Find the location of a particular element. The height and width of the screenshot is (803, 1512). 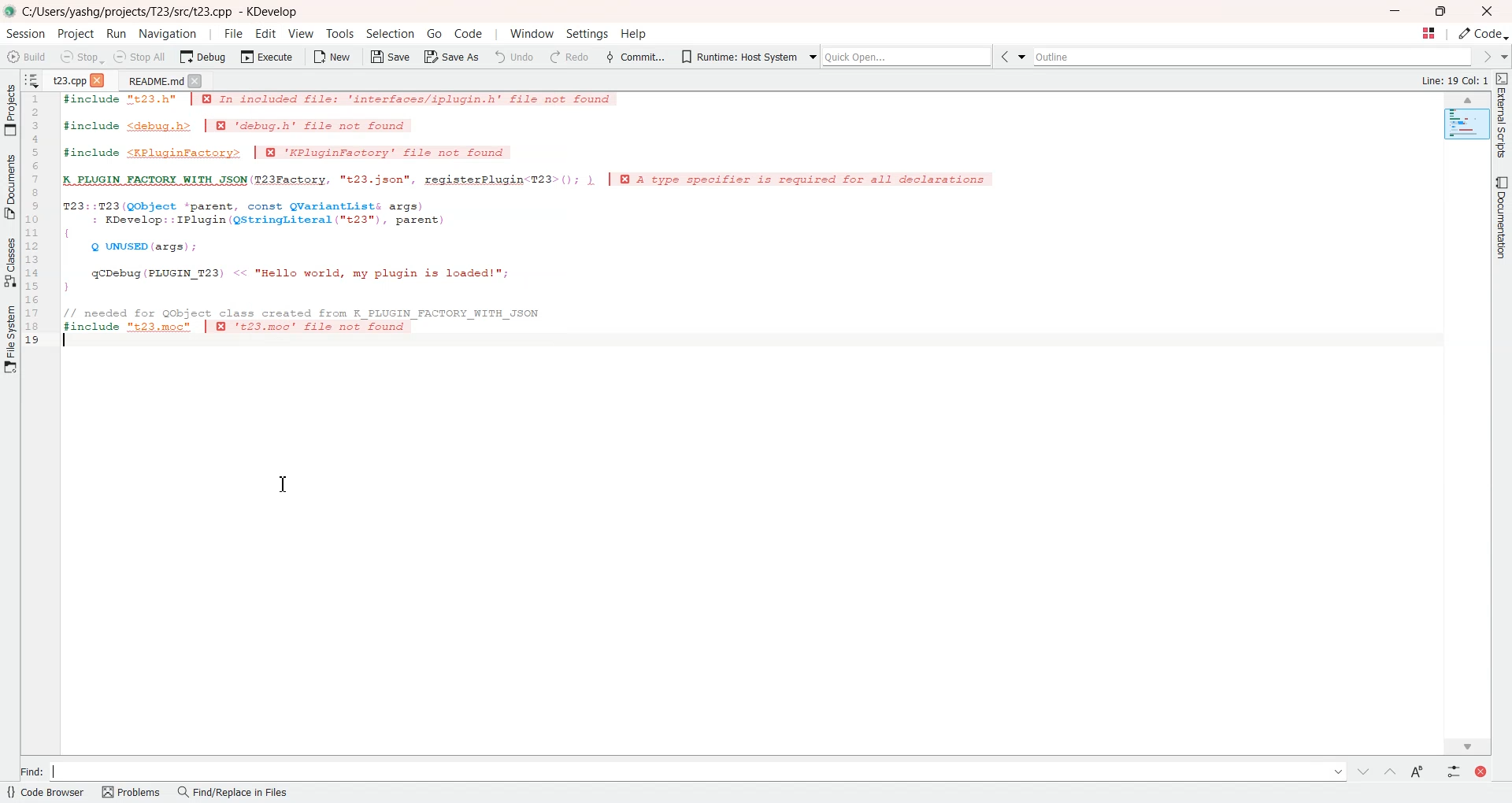

Save as is located at coordinates (452, 57).